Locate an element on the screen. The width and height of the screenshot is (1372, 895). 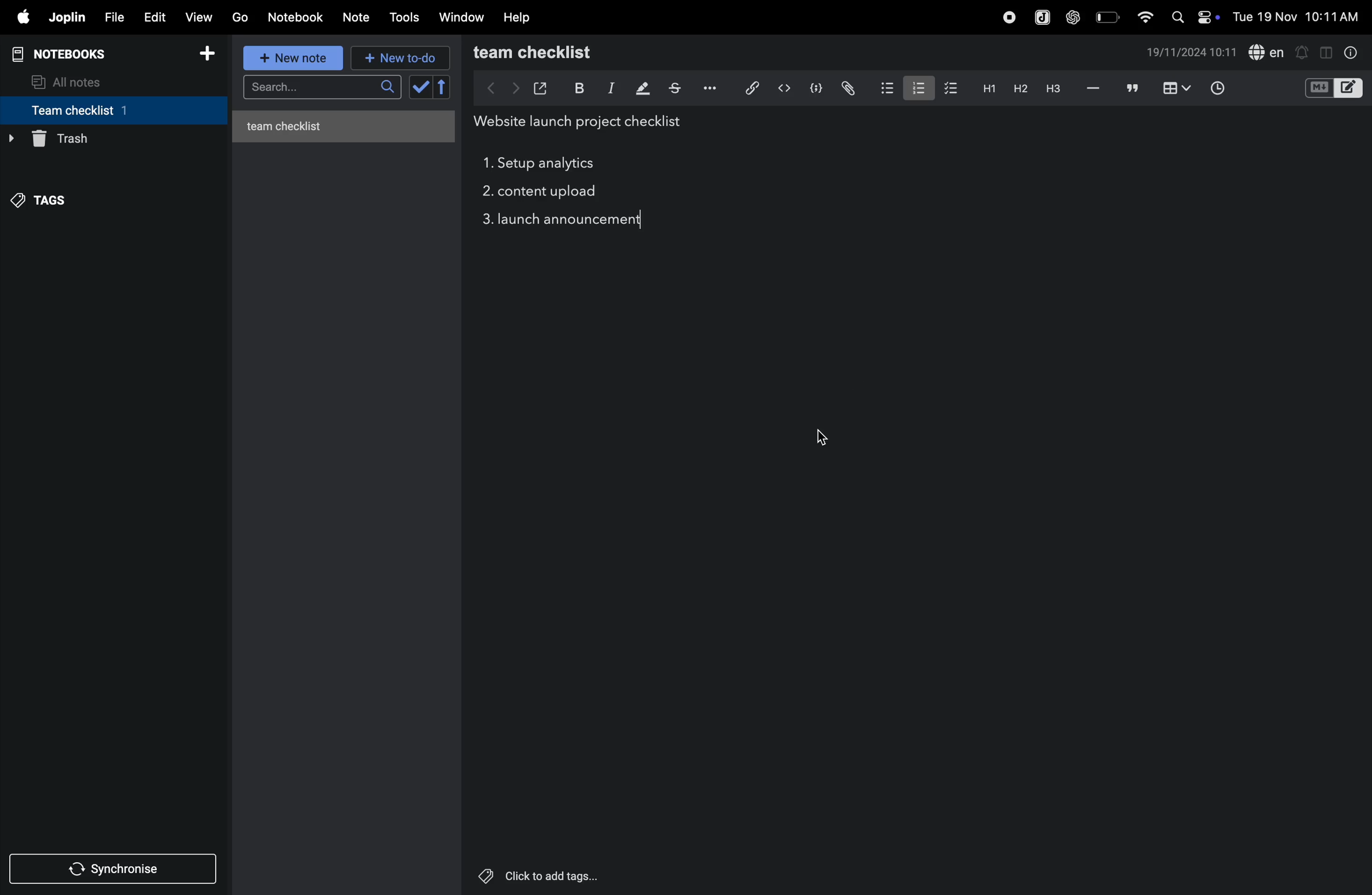
heading 3 is located at coordinates (1053, 88).